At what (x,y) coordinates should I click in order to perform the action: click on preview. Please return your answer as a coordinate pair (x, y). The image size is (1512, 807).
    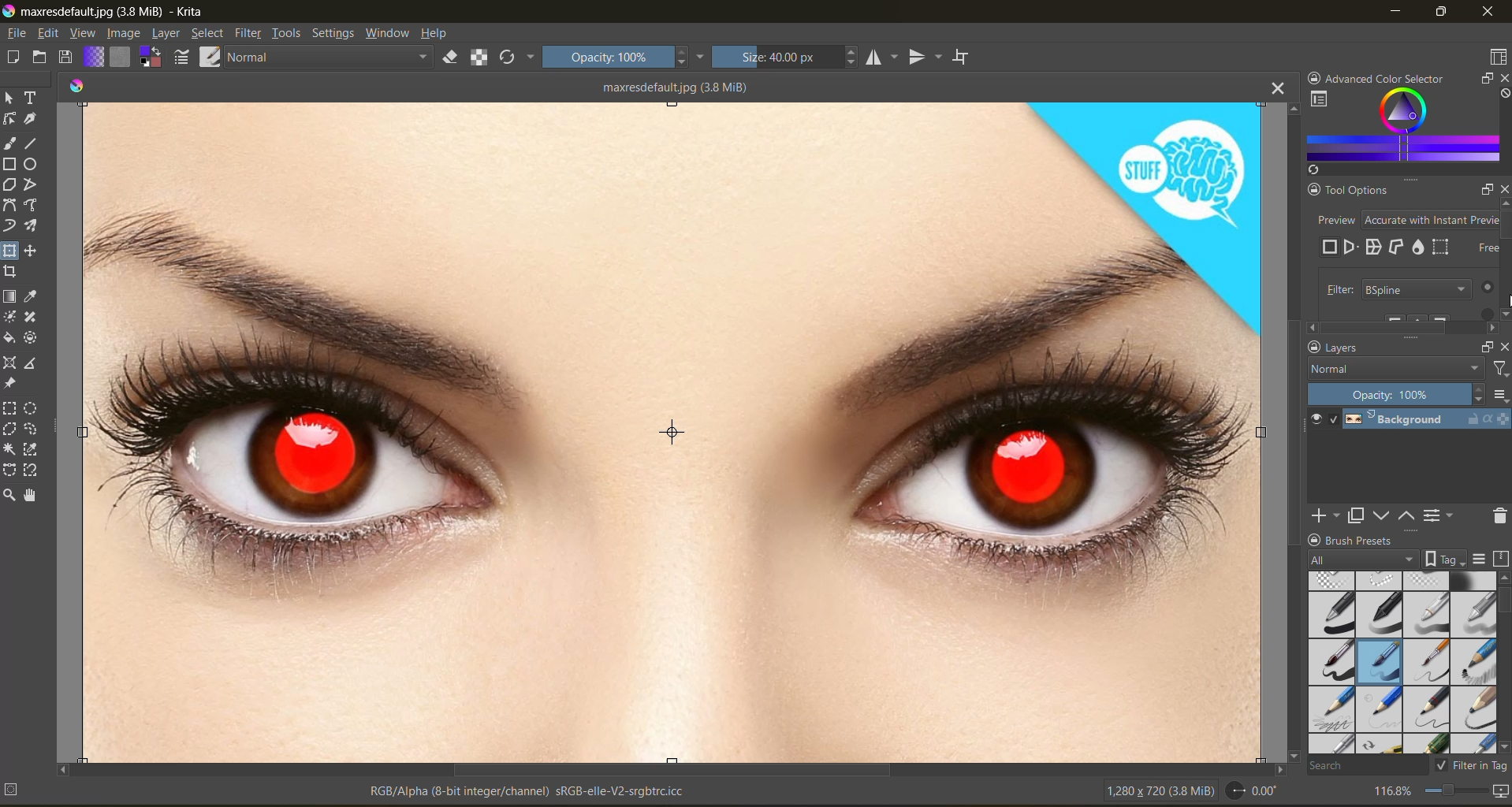
    Looking at the image, I should click on (1316, 420).